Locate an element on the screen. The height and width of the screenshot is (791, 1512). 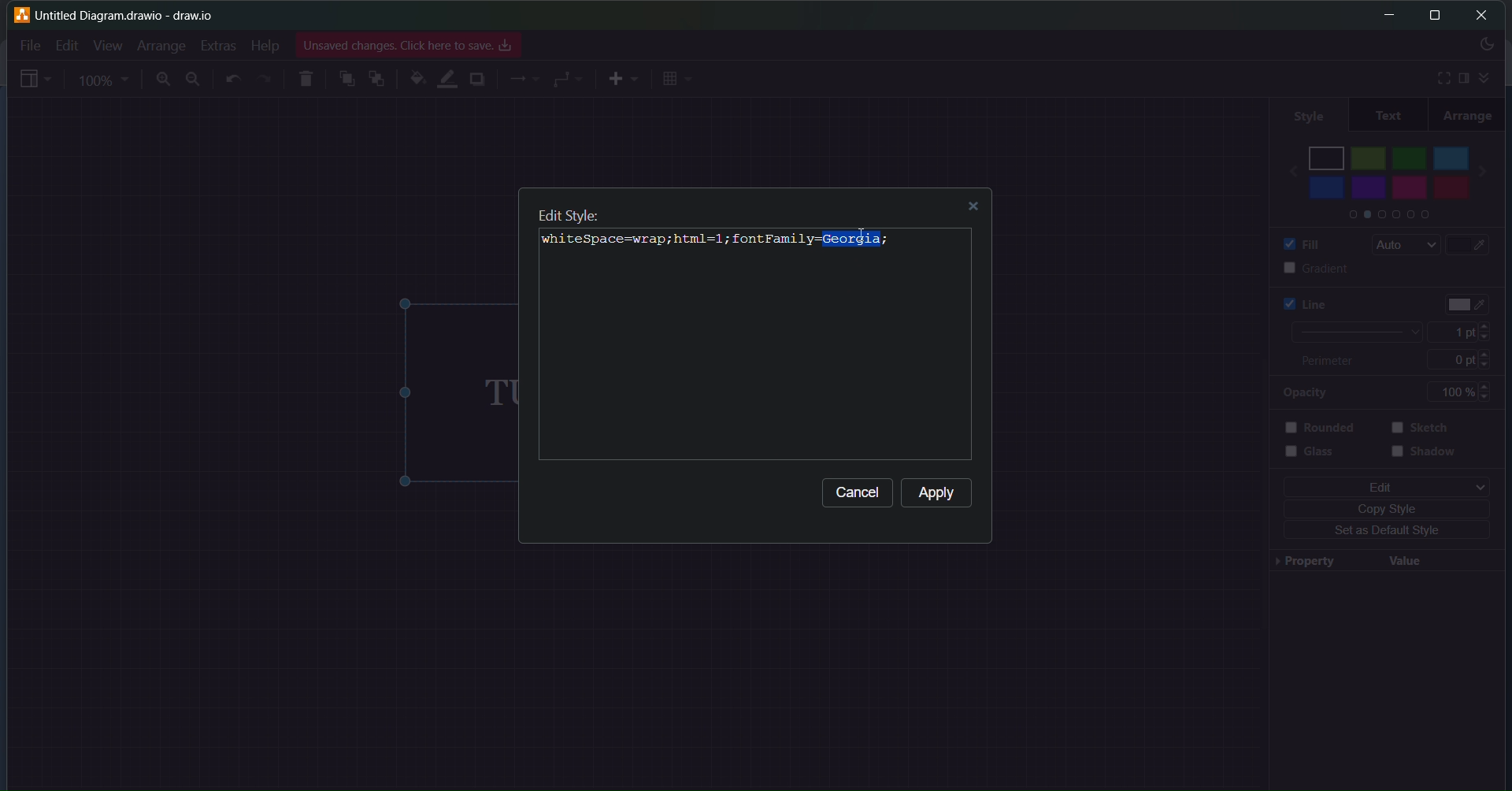
sidebar is located at coordinates (35, 81).